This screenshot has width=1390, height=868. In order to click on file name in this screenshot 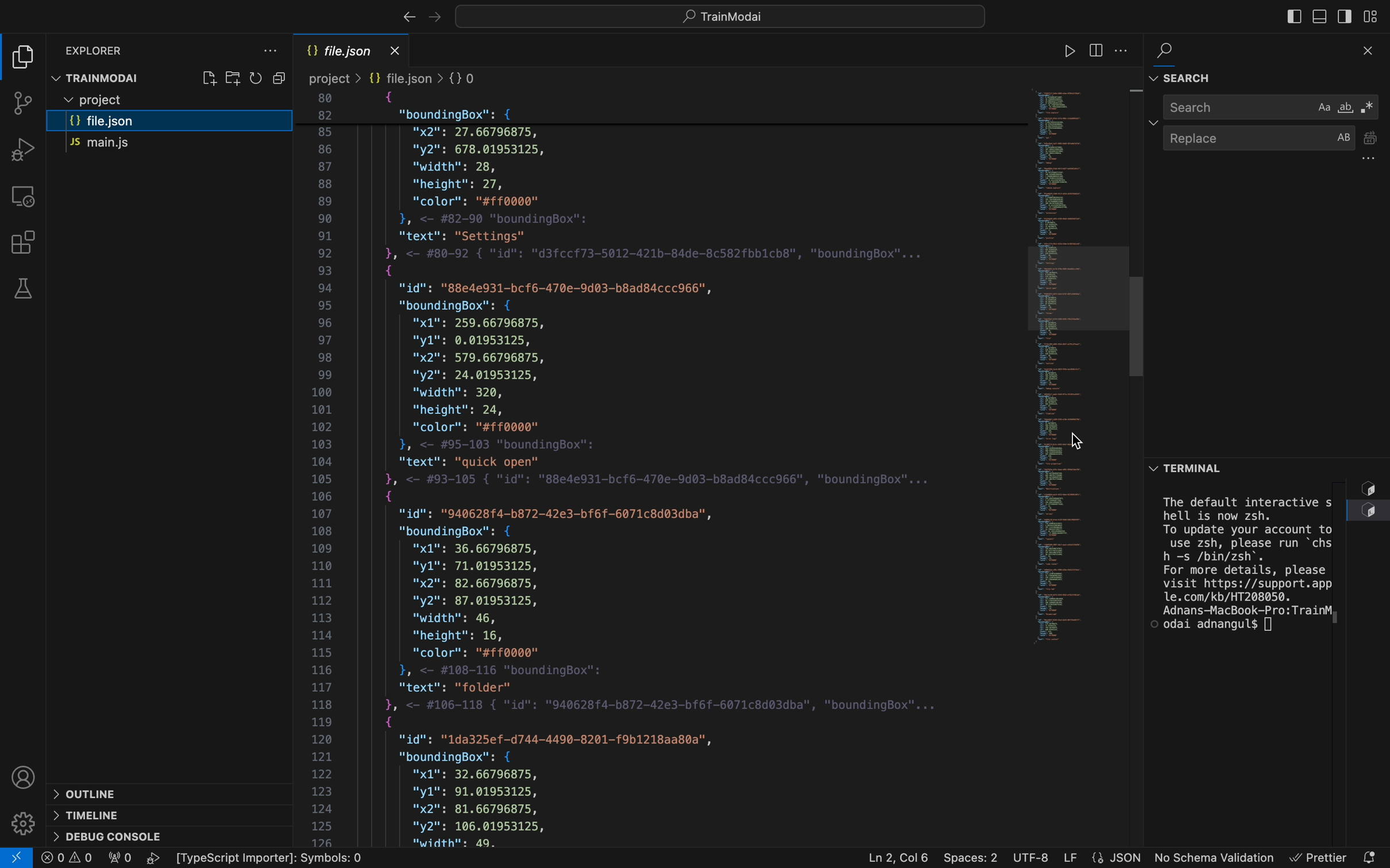, I will do `click(350, 51)`.